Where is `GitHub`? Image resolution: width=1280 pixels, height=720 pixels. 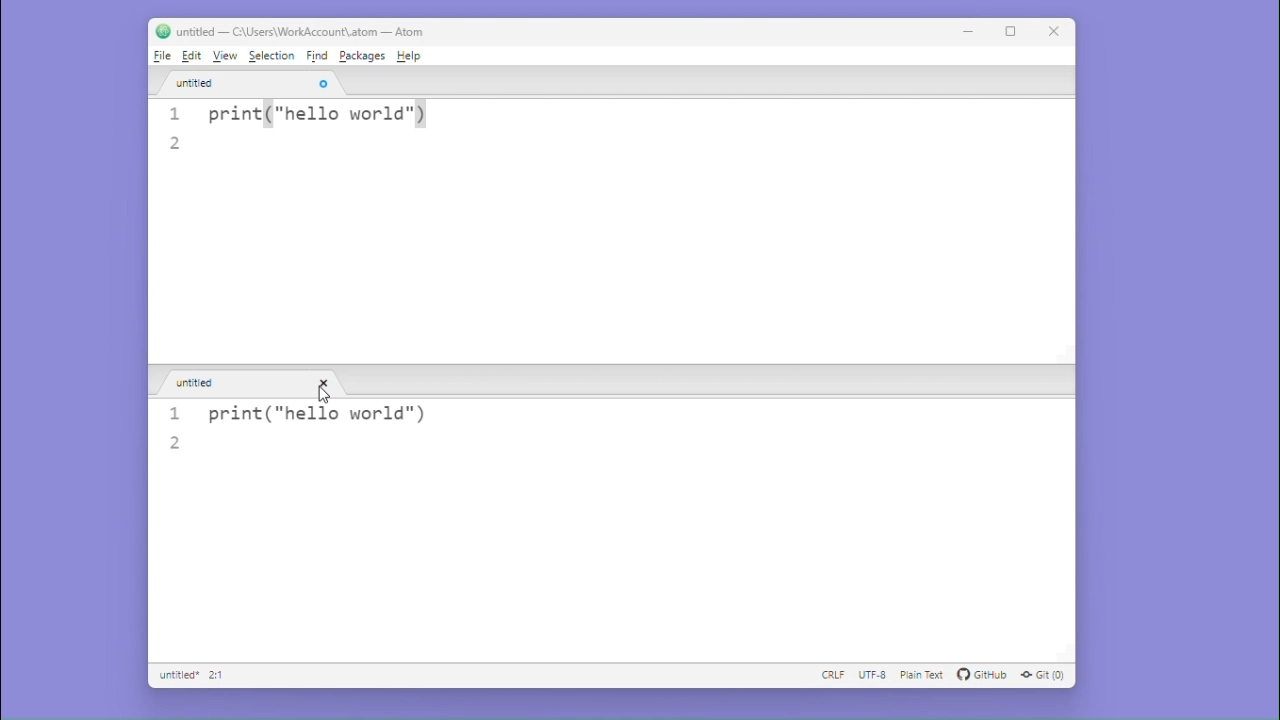 GitHub is located at coordinates (983, 677).